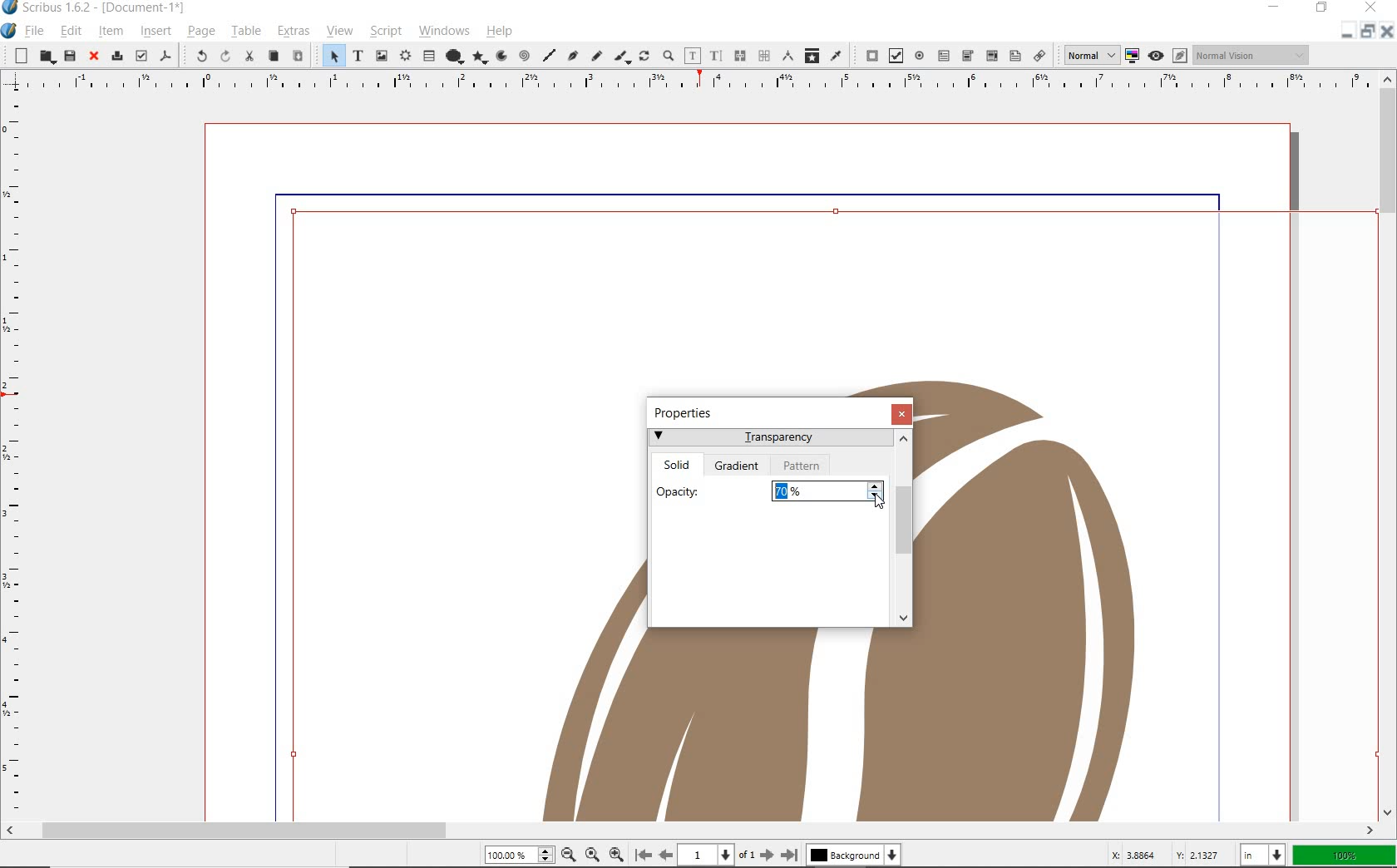 Image resolution: width=1397 pixels, height=868 pixels. I want to click on page, so click(200, 32).